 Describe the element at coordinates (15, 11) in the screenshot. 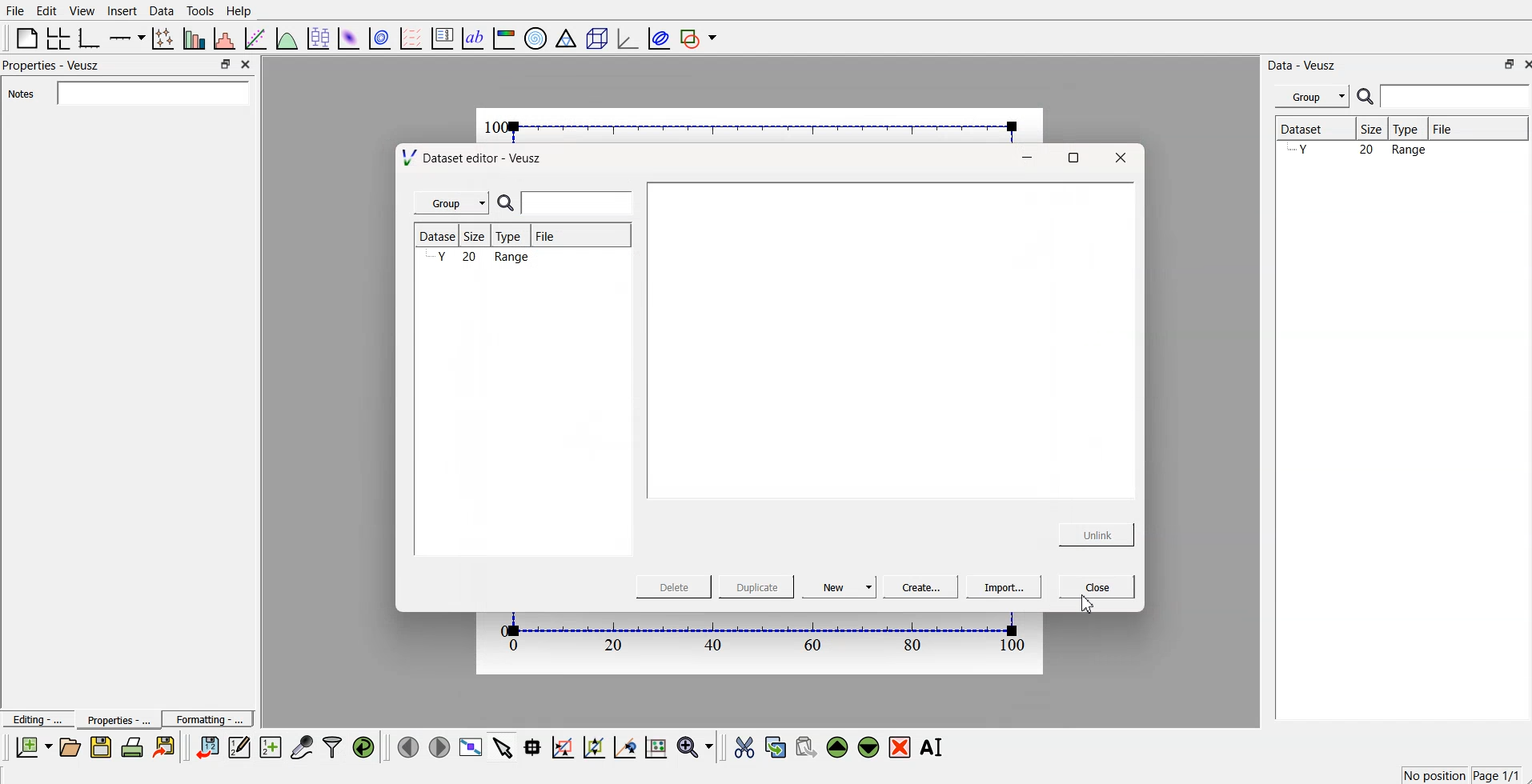

I see `File` at that location.